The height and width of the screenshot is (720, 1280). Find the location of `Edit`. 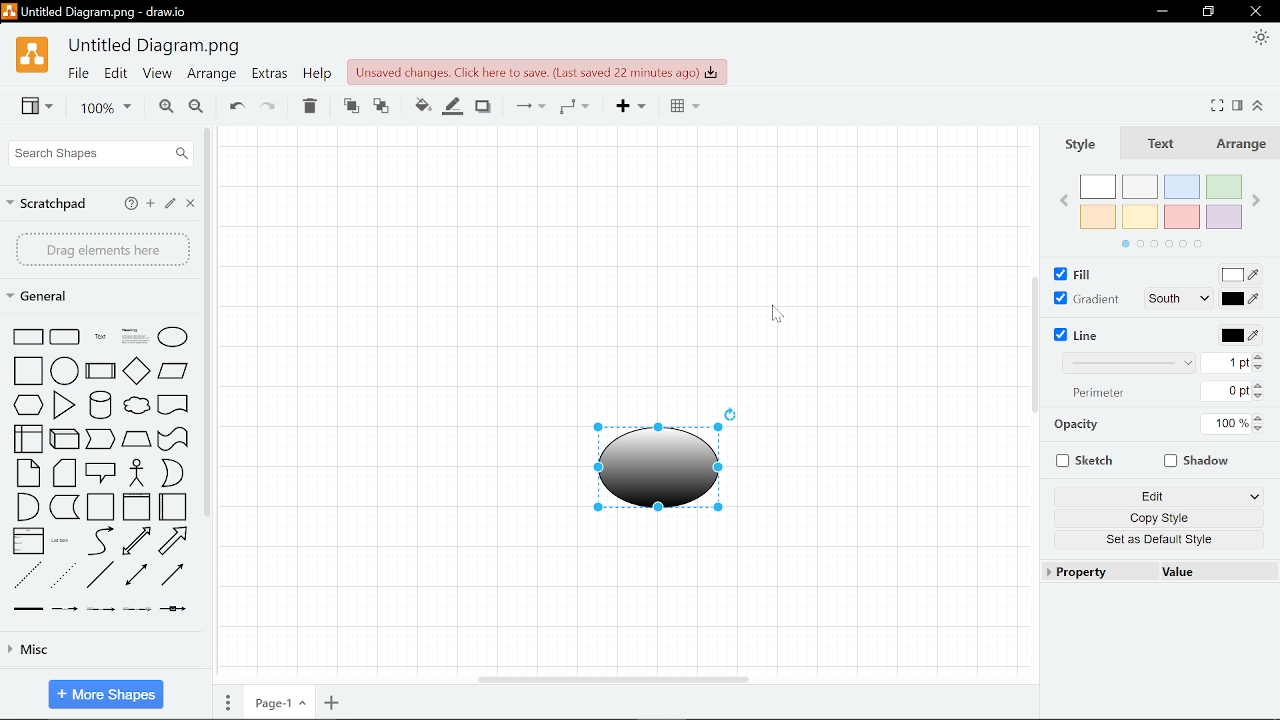

Edit is located at coordinates (117, 73).